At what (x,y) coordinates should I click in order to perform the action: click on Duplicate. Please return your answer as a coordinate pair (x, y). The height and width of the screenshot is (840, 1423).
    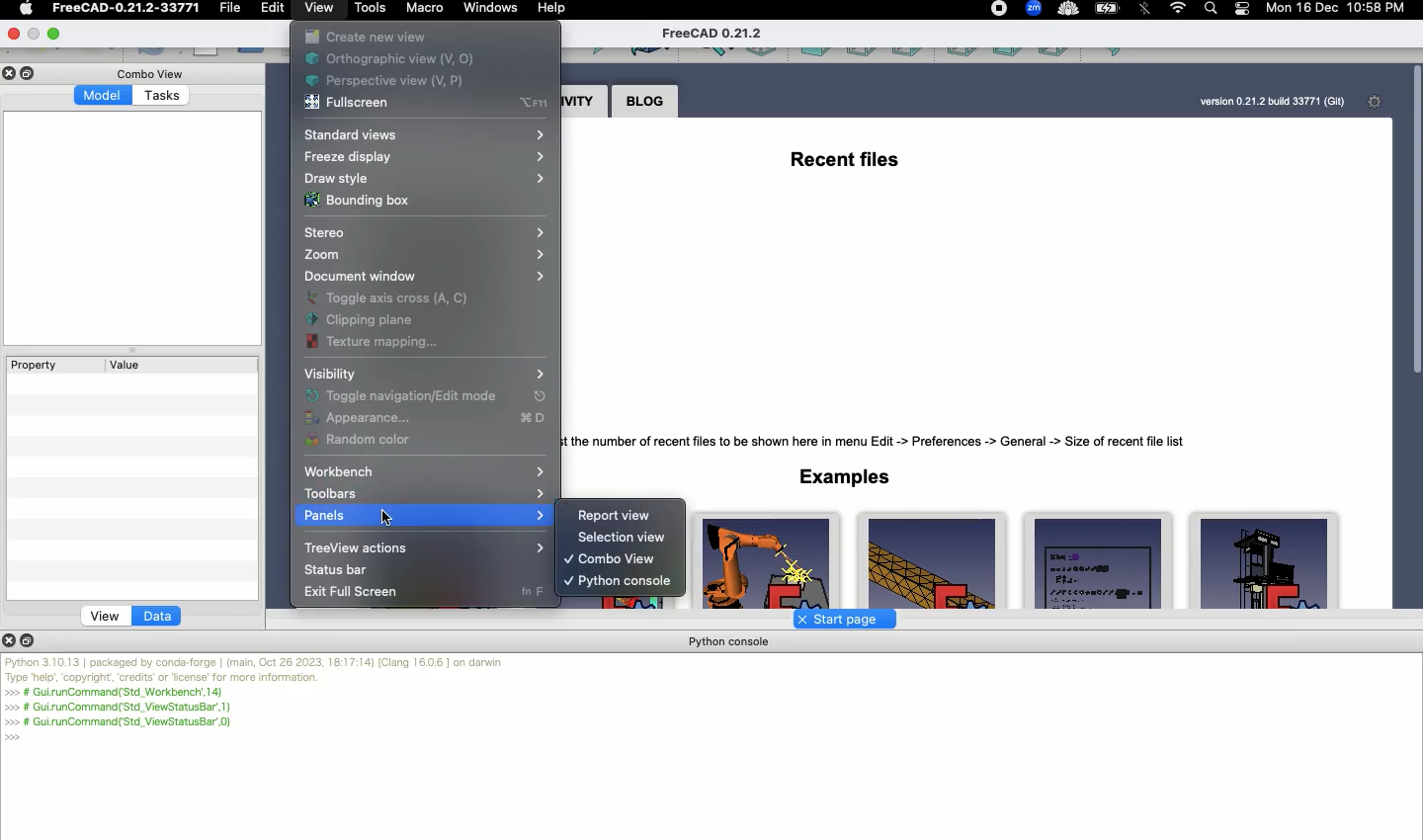
    Looking at the image, I should click on (31, 74).